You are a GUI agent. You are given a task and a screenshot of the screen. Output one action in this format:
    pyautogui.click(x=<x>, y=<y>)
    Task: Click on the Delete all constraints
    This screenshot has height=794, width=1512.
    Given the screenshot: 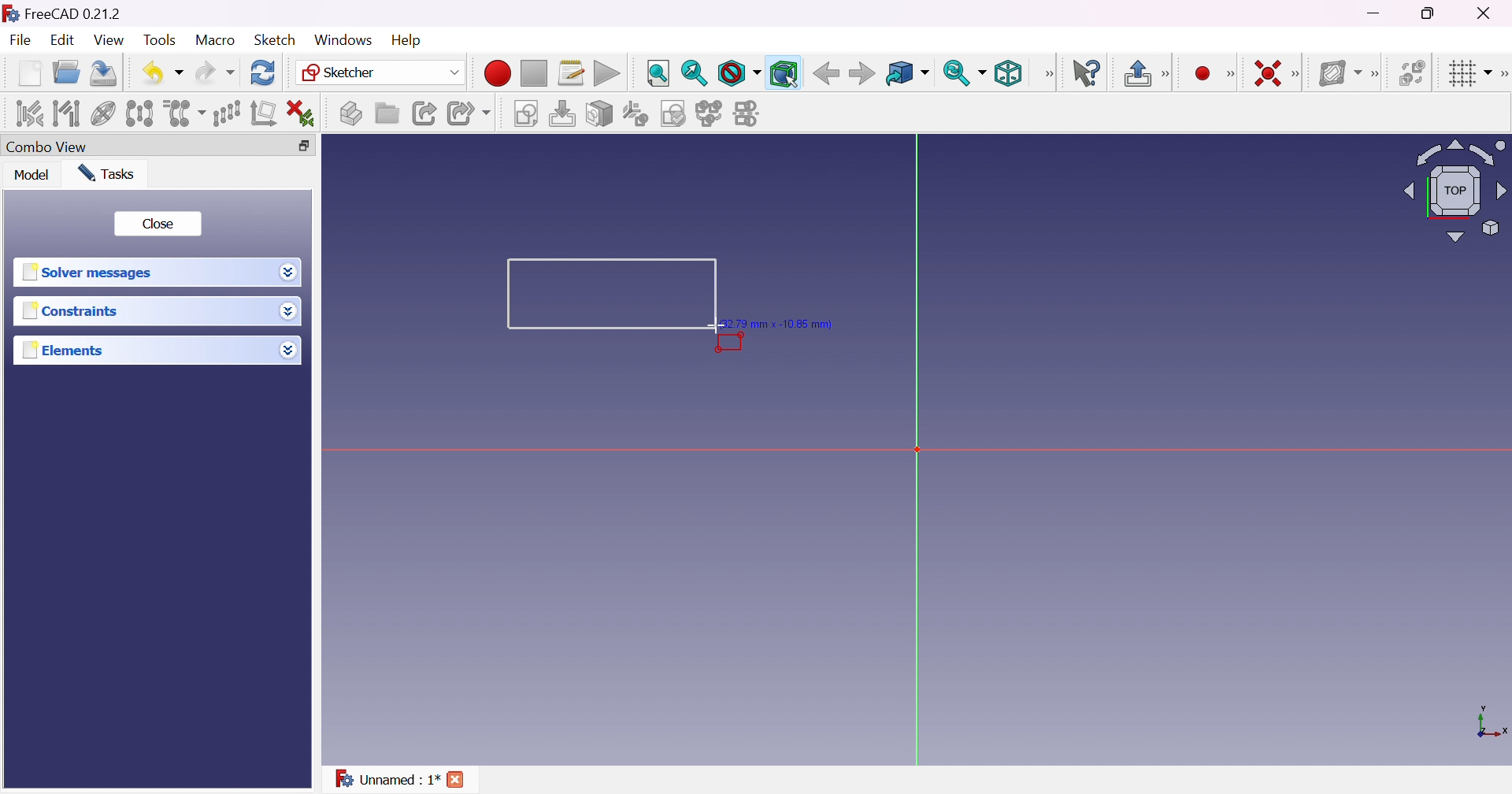 What is the action you would take?
    pyautogui.click(x=301, y=113)
    